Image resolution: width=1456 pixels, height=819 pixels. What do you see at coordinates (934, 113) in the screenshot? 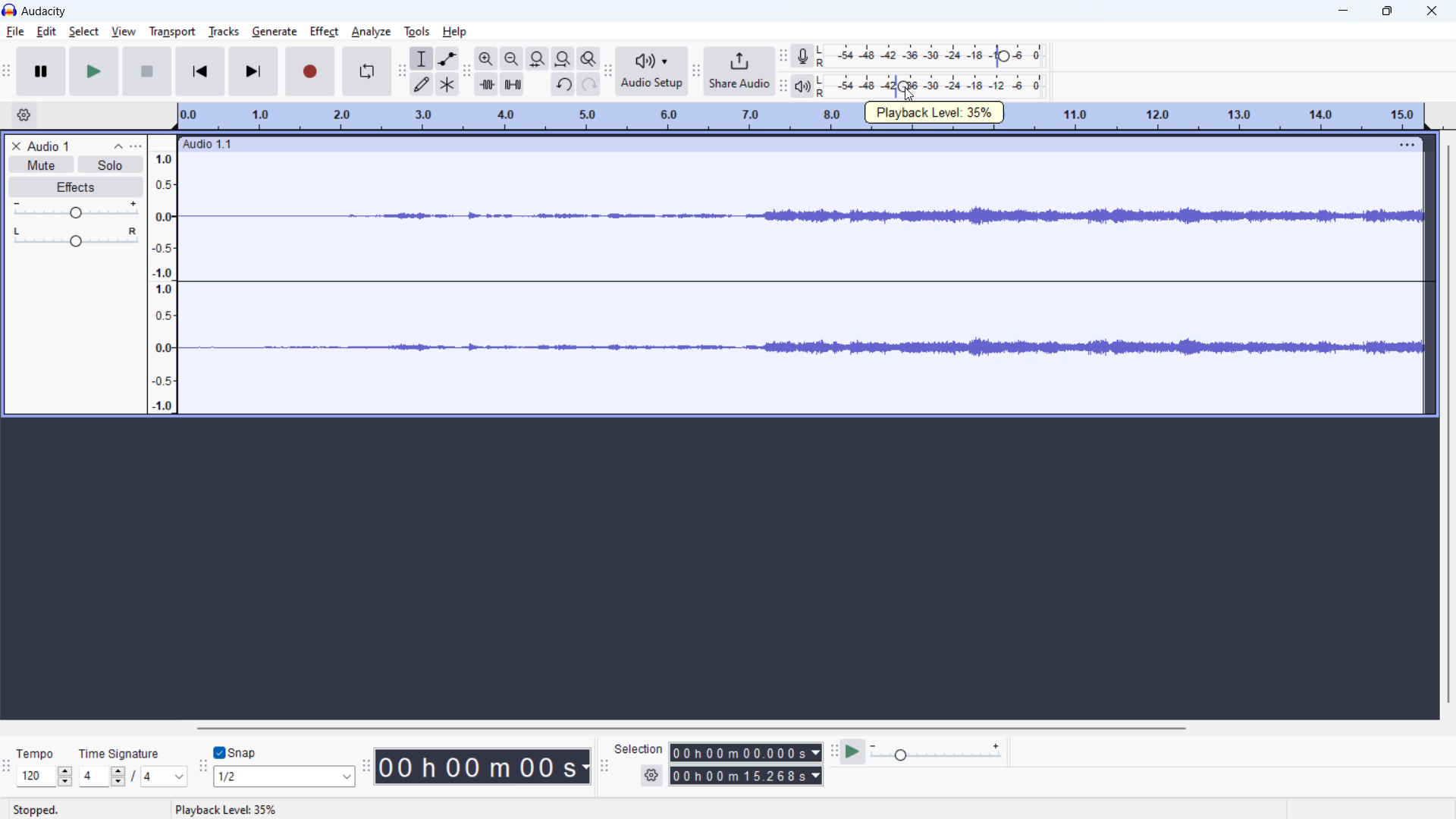
I see `playback level: 35%` at bounding box center [934, 113].